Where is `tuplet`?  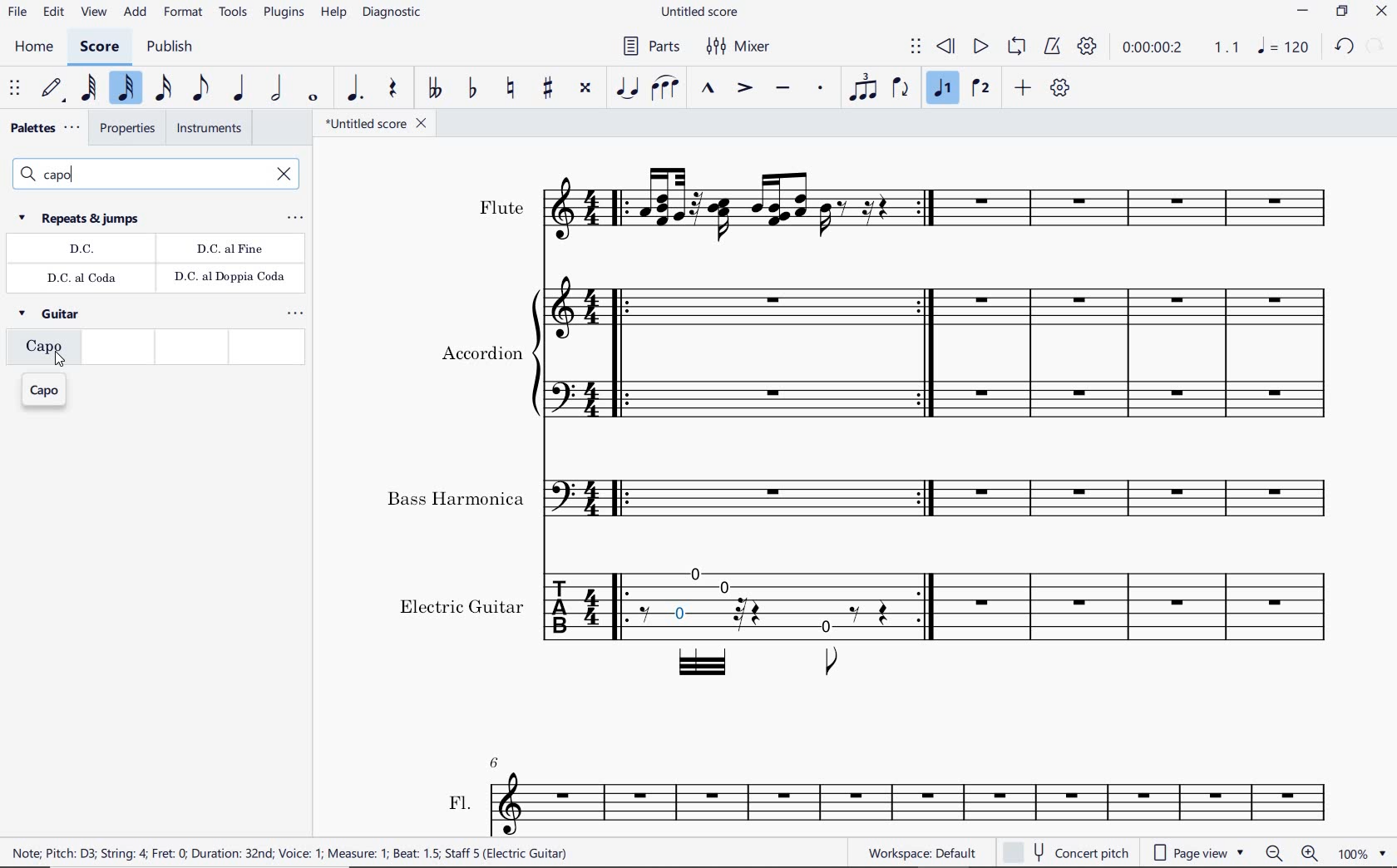
tuplet is located at coordinates (859, 89).